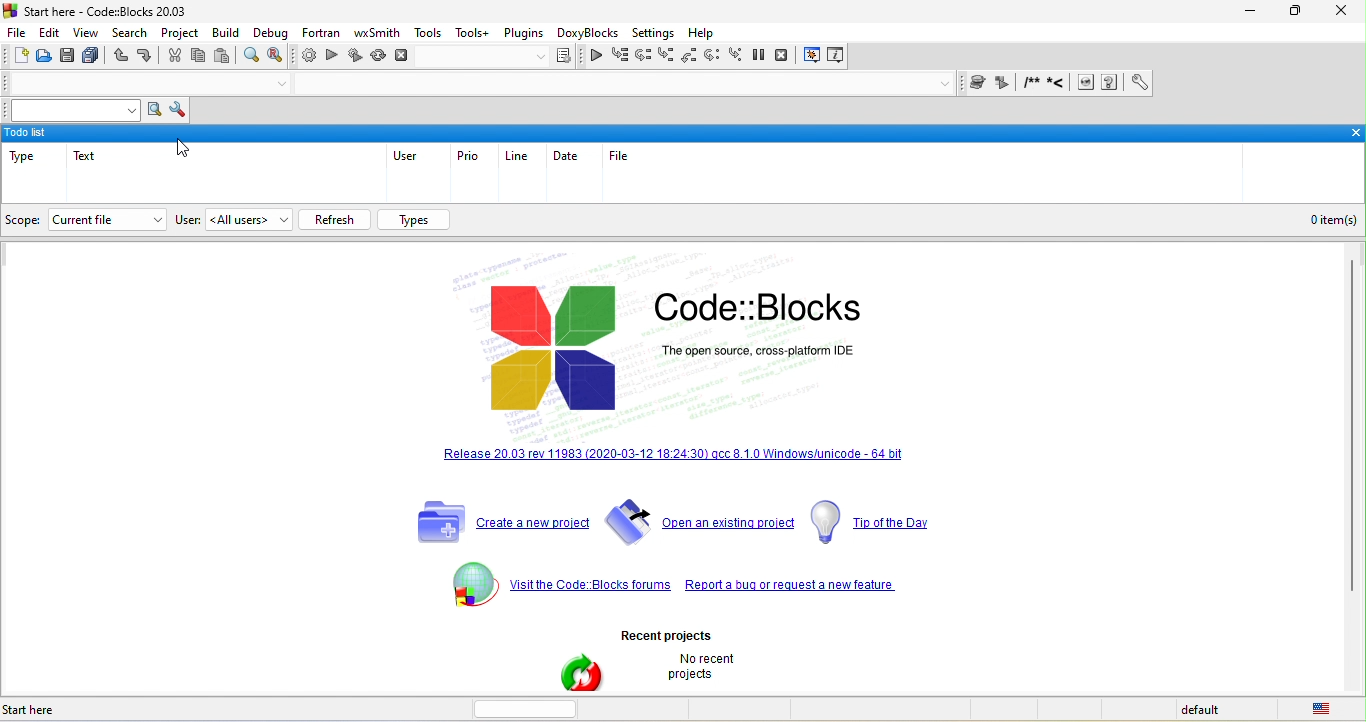 This screenshot has height=722, width=1366. Describe the element at coordinates (380, 57) in the screenshot. I see `rebuild ` at that location.